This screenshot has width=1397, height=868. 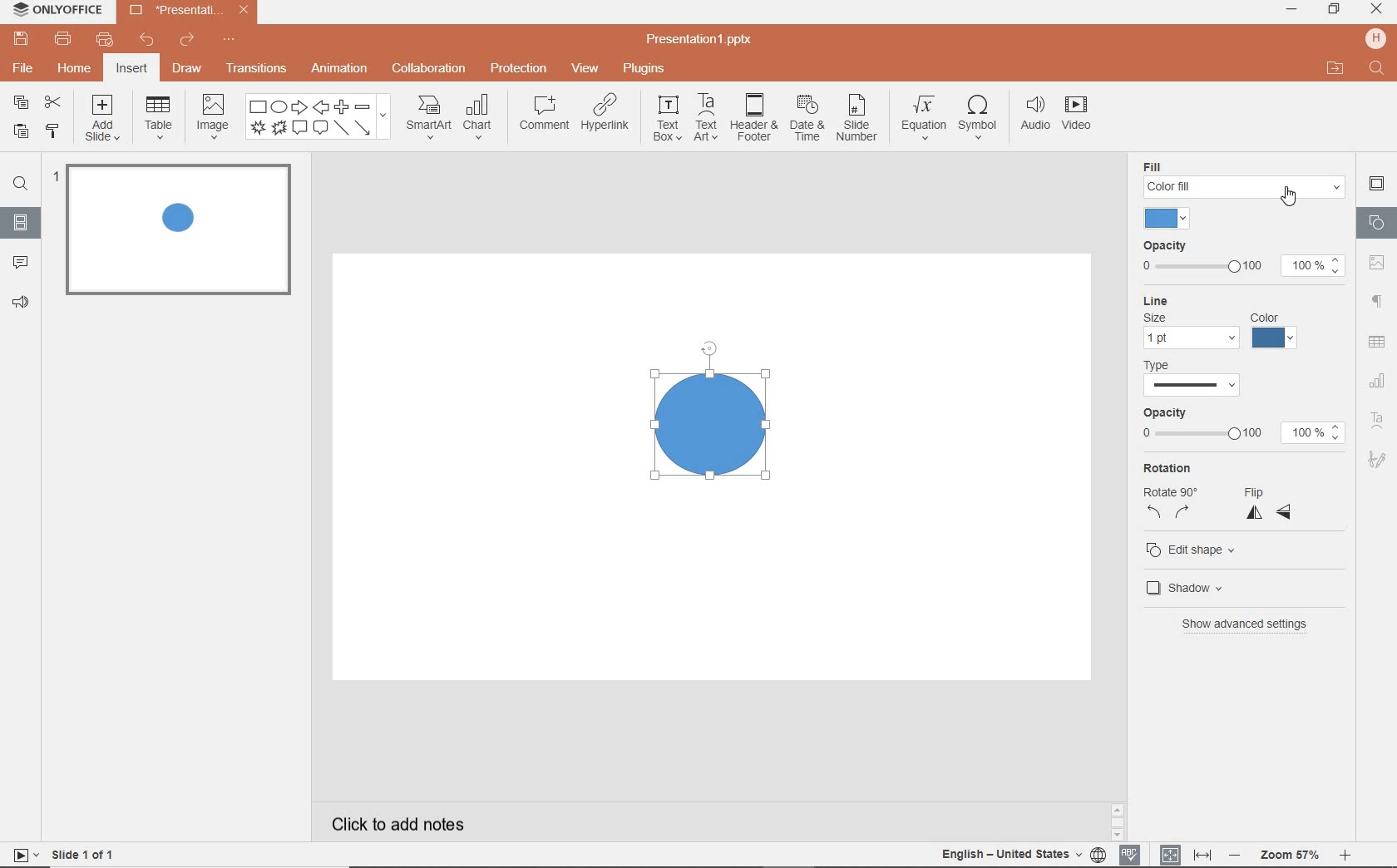 What do you see at coordinates (19, 38) in the screenshot?
I see `save` at bounding box center [19, 38].